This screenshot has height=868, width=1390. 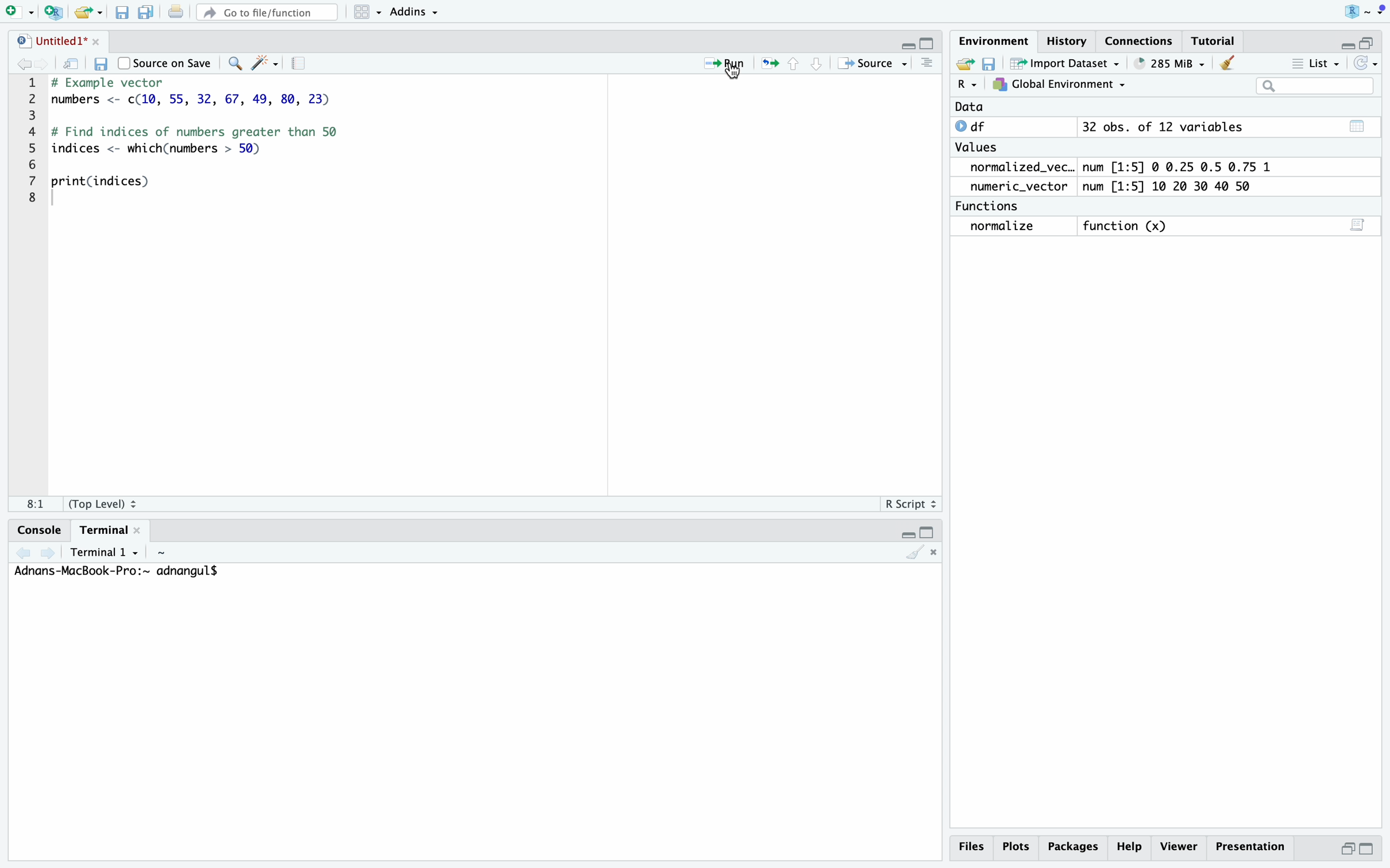 What do you see at coordinates (176, 13) in the screenshot?
I see `print current file` at bounding box center [176, 13].